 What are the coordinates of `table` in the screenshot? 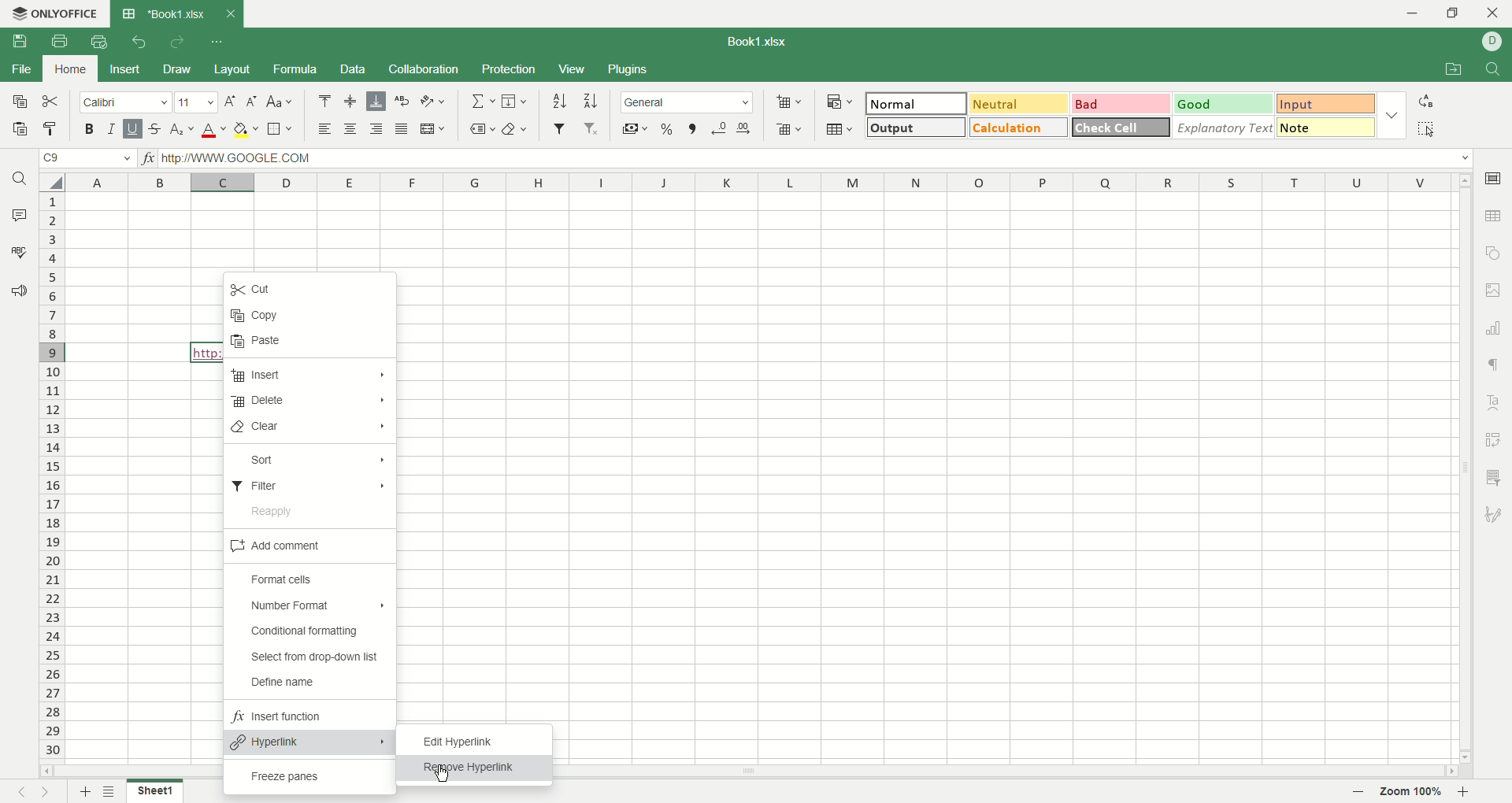 It's located at (840, 128).